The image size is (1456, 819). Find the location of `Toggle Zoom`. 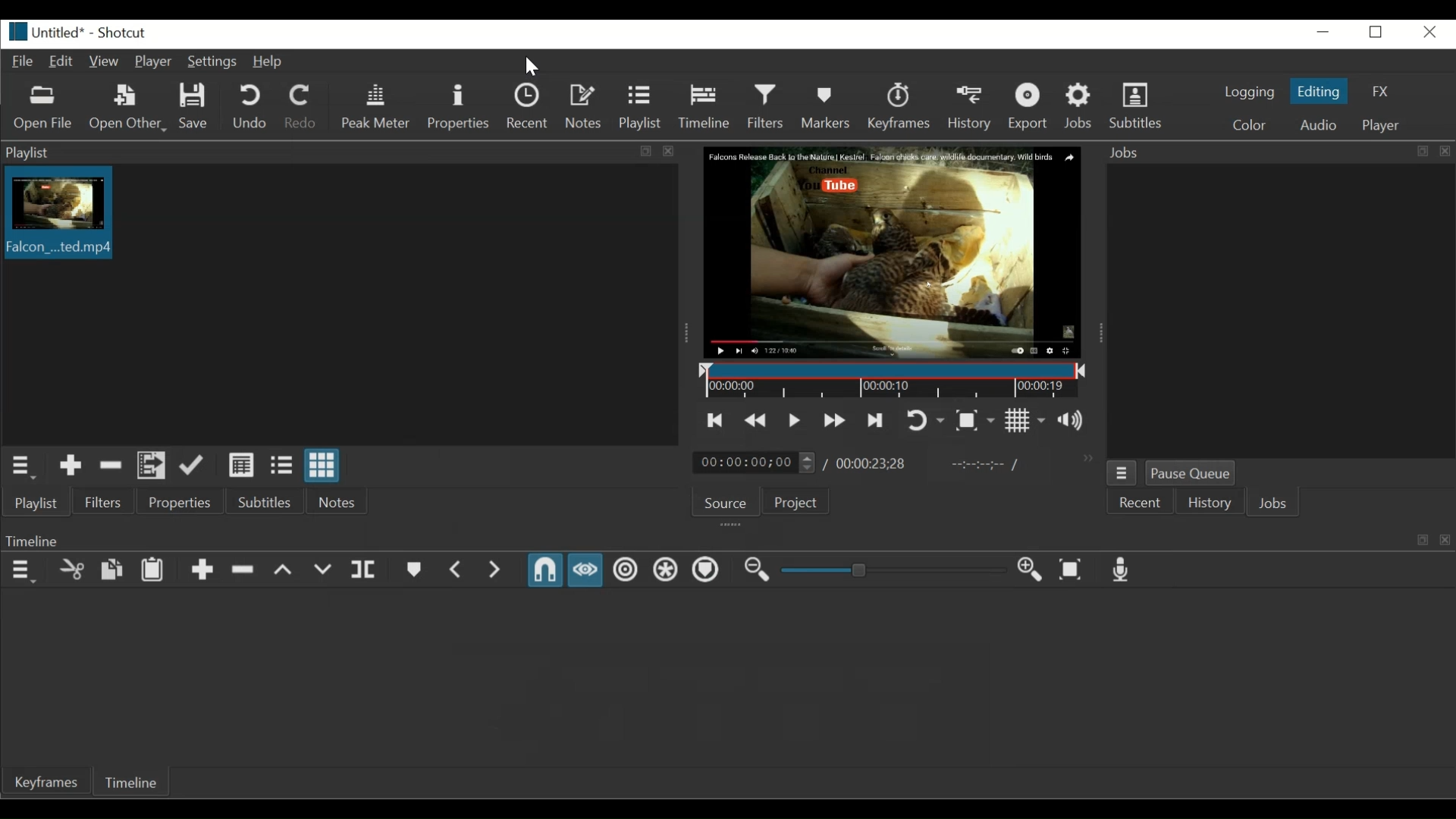

Toggle Zoom is located at coordinates (976, 419).